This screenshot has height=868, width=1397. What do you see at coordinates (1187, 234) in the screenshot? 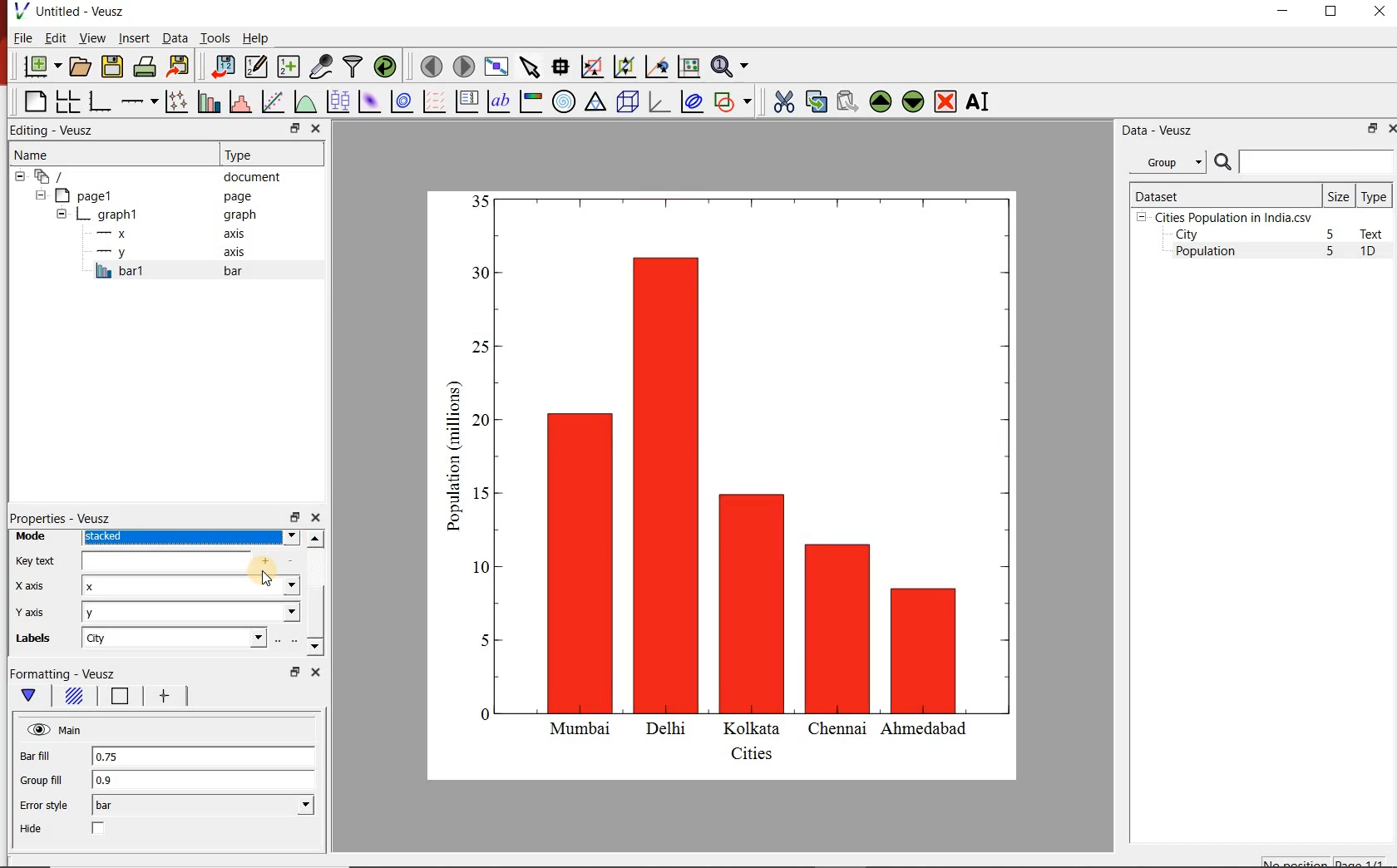
I see `City` at bounding box center [1187, 234].